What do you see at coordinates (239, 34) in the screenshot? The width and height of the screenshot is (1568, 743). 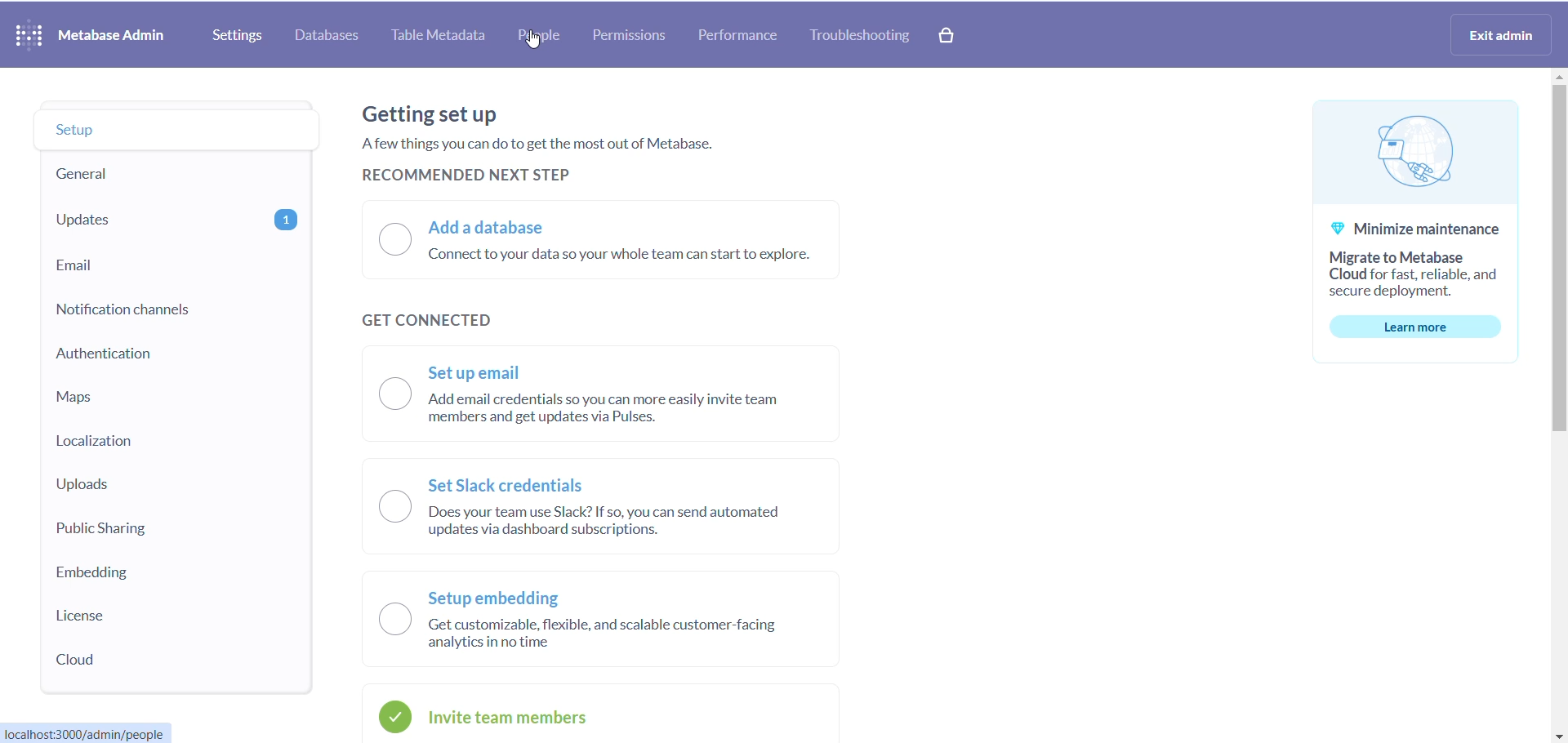 I see `settings` at bounding box center [239, 34].